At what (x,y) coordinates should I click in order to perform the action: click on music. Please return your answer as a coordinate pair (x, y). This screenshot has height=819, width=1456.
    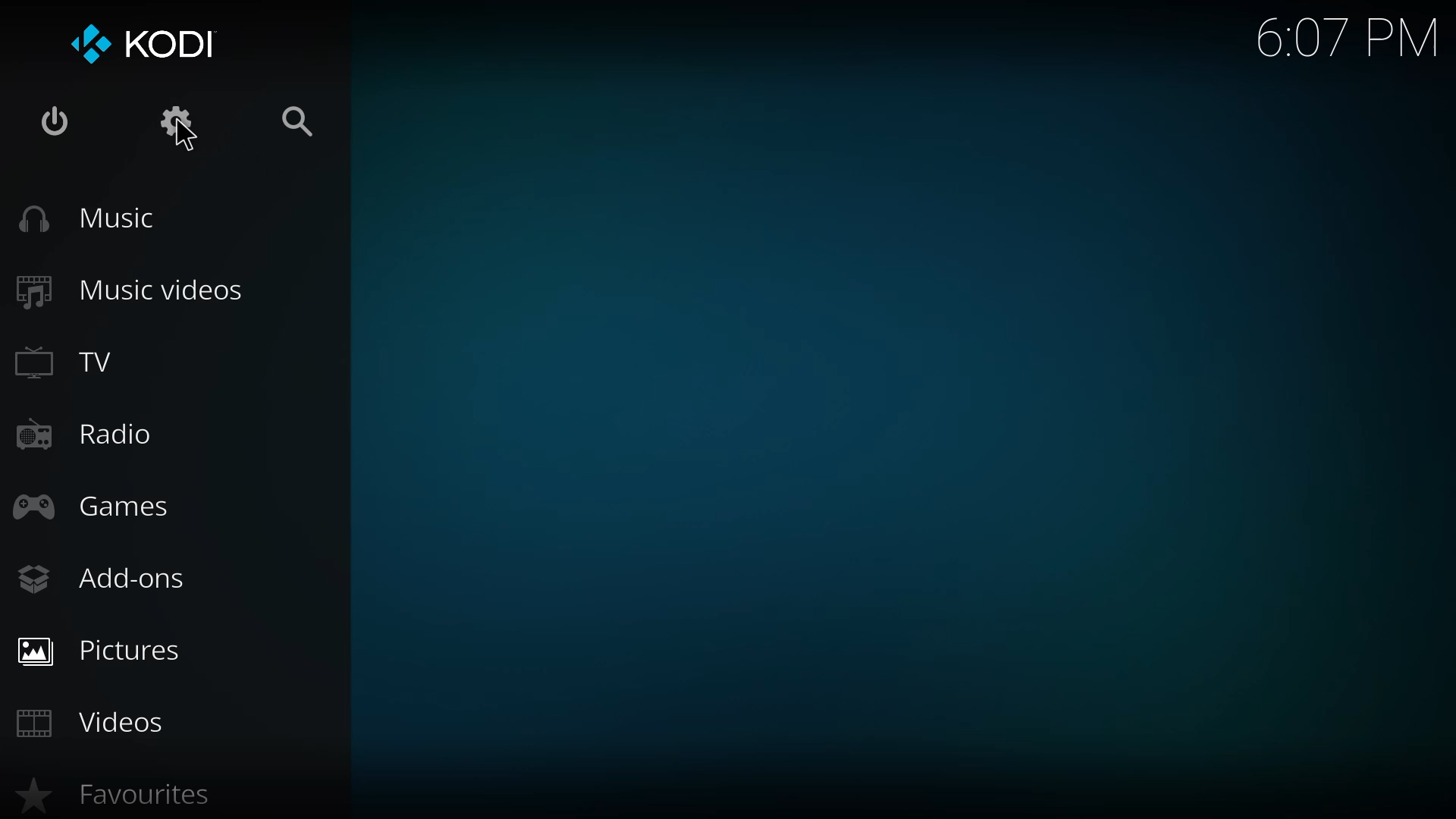
    Looking at the image, I should click on (91, 218).